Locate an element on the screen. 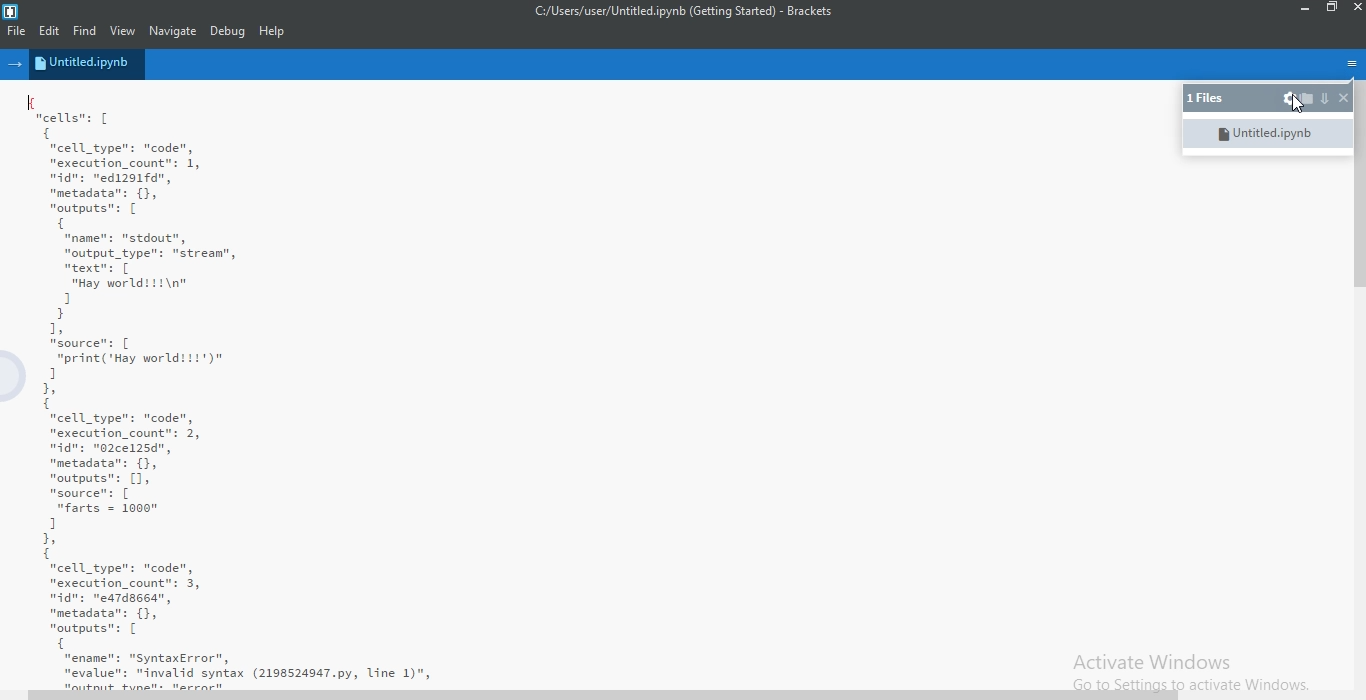  View is located at coordinates (124, 30).